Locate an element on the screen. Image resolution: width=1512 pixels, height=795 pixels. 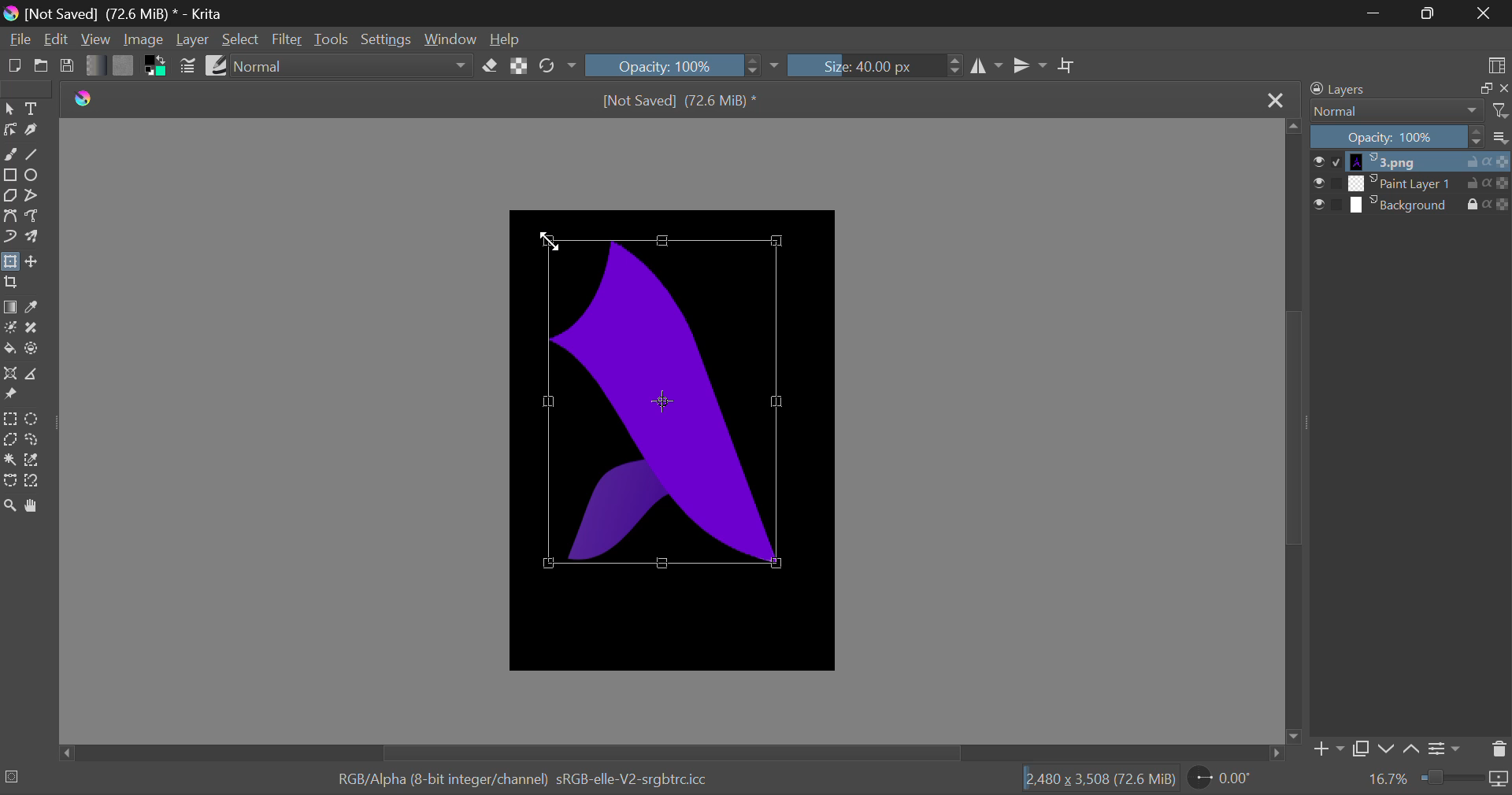
Rectangle Selection is located at coordinates (13, 420).